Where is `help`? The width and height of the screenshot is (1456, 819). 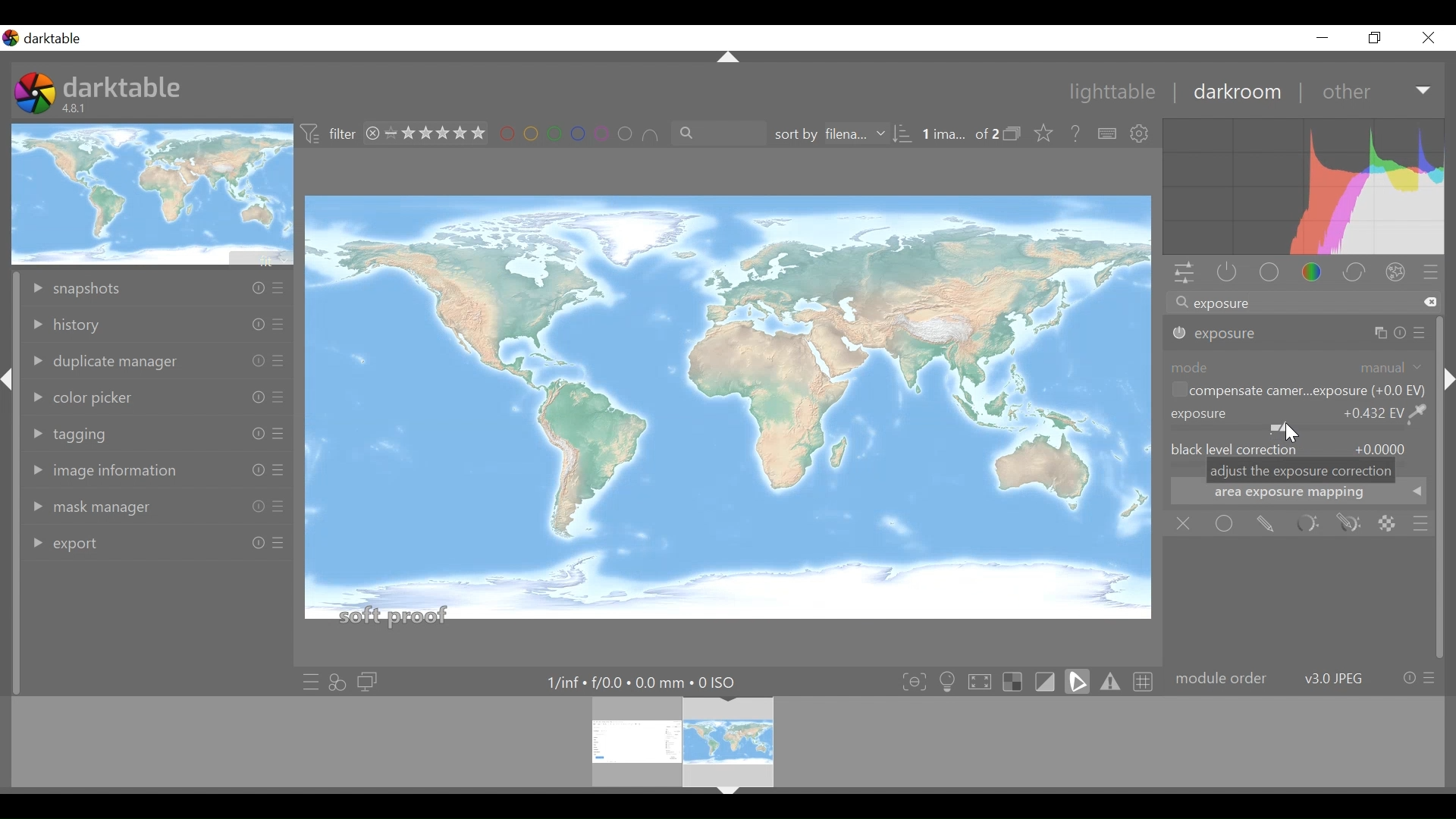 help is located at coordinates (1077, 134).